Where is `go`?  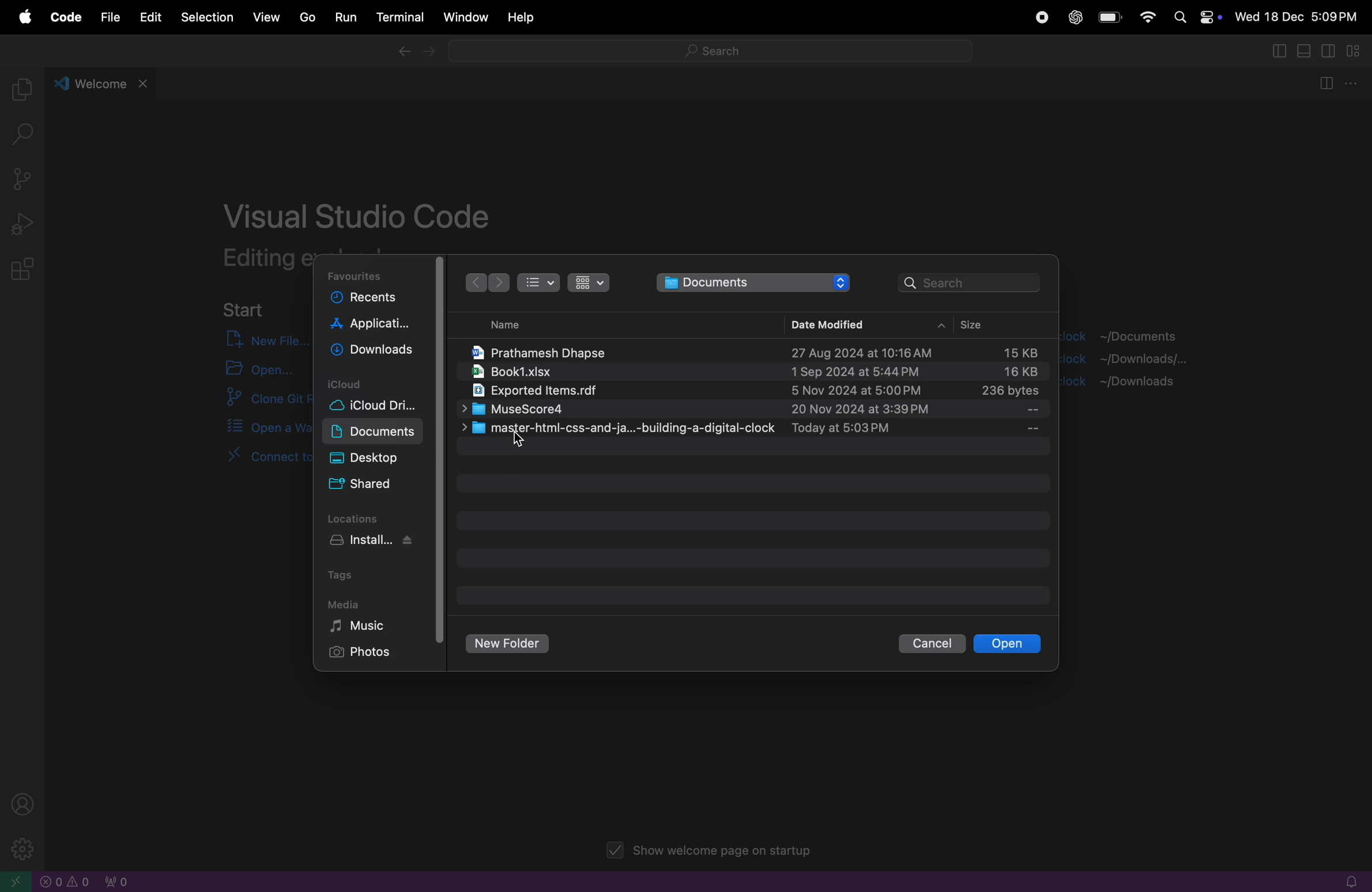 go is located at coordinates (304, 17).